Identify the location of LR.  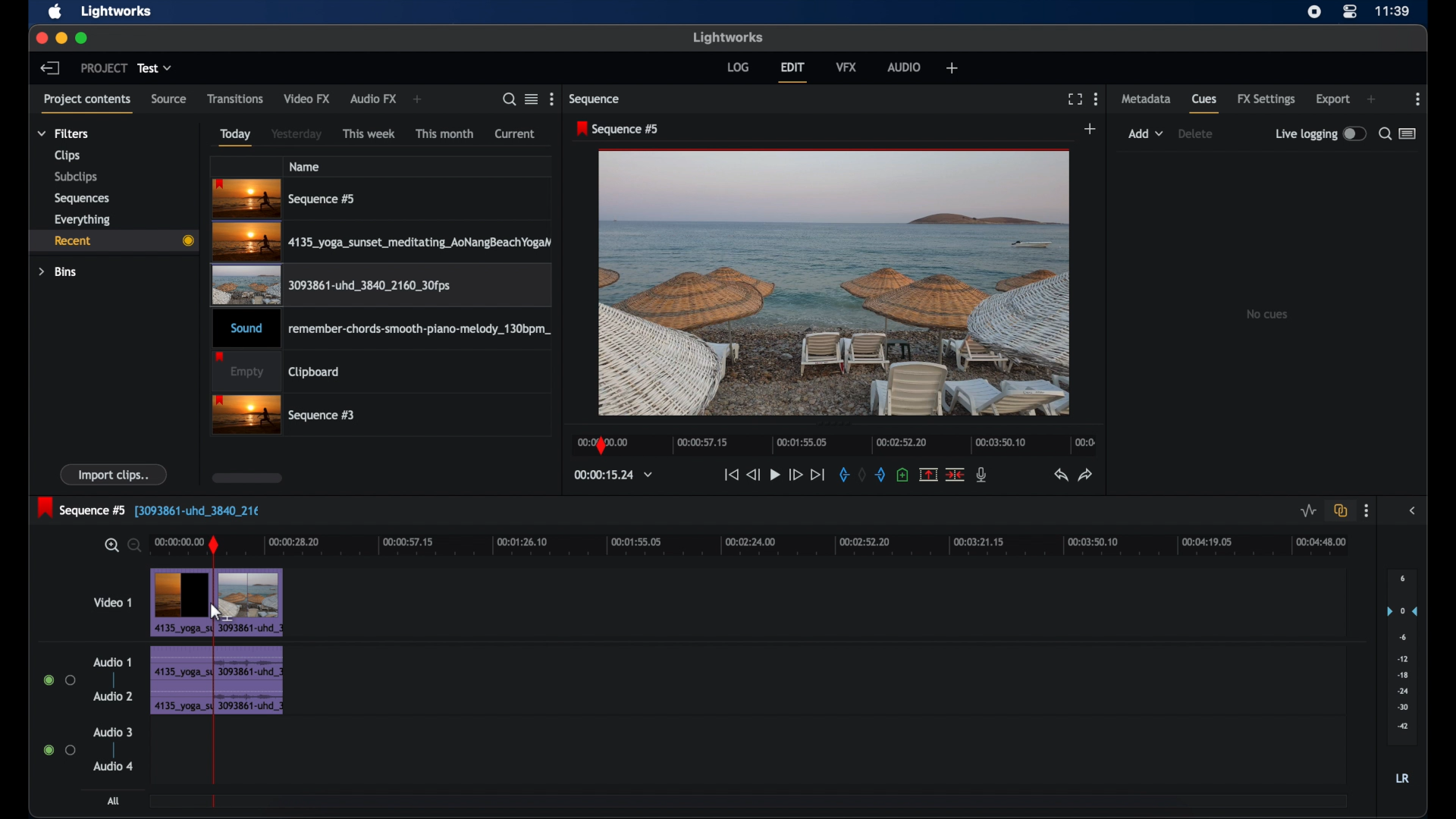
(1402, 778).